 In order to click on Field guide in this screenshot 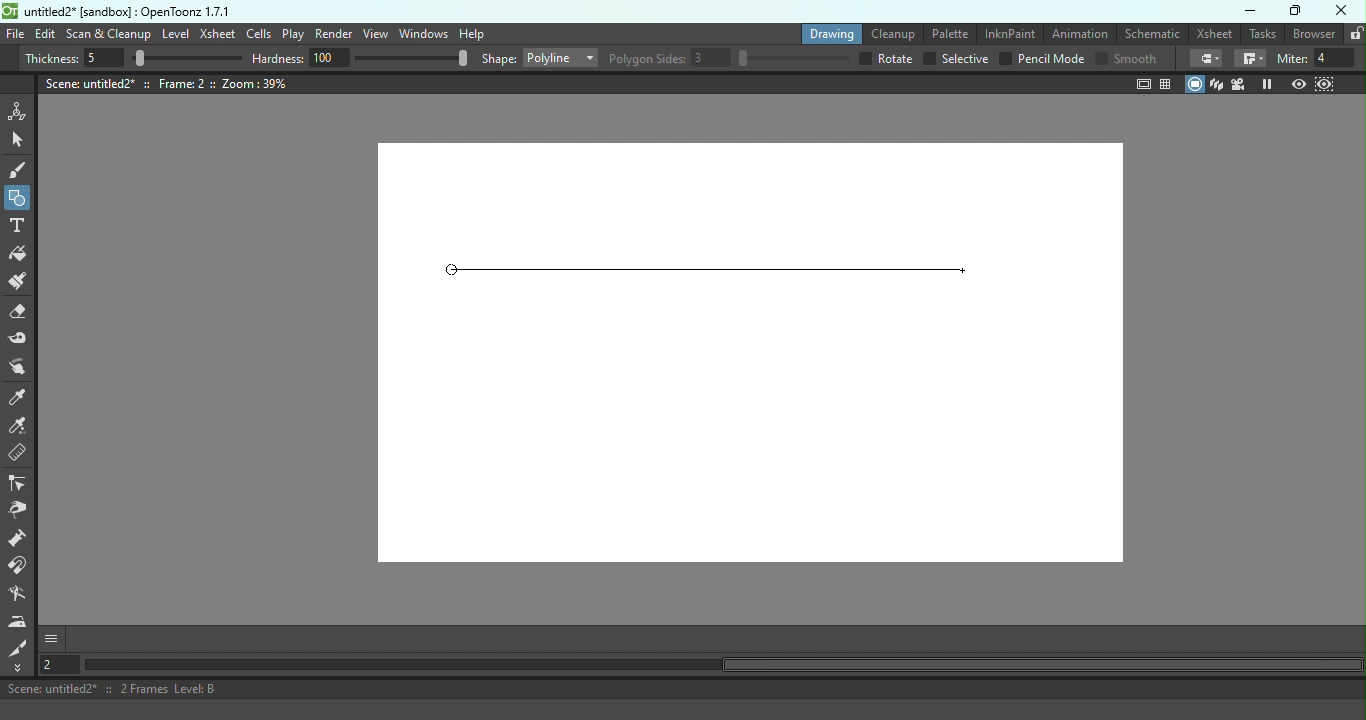, I will do `click(1167, 83)`.